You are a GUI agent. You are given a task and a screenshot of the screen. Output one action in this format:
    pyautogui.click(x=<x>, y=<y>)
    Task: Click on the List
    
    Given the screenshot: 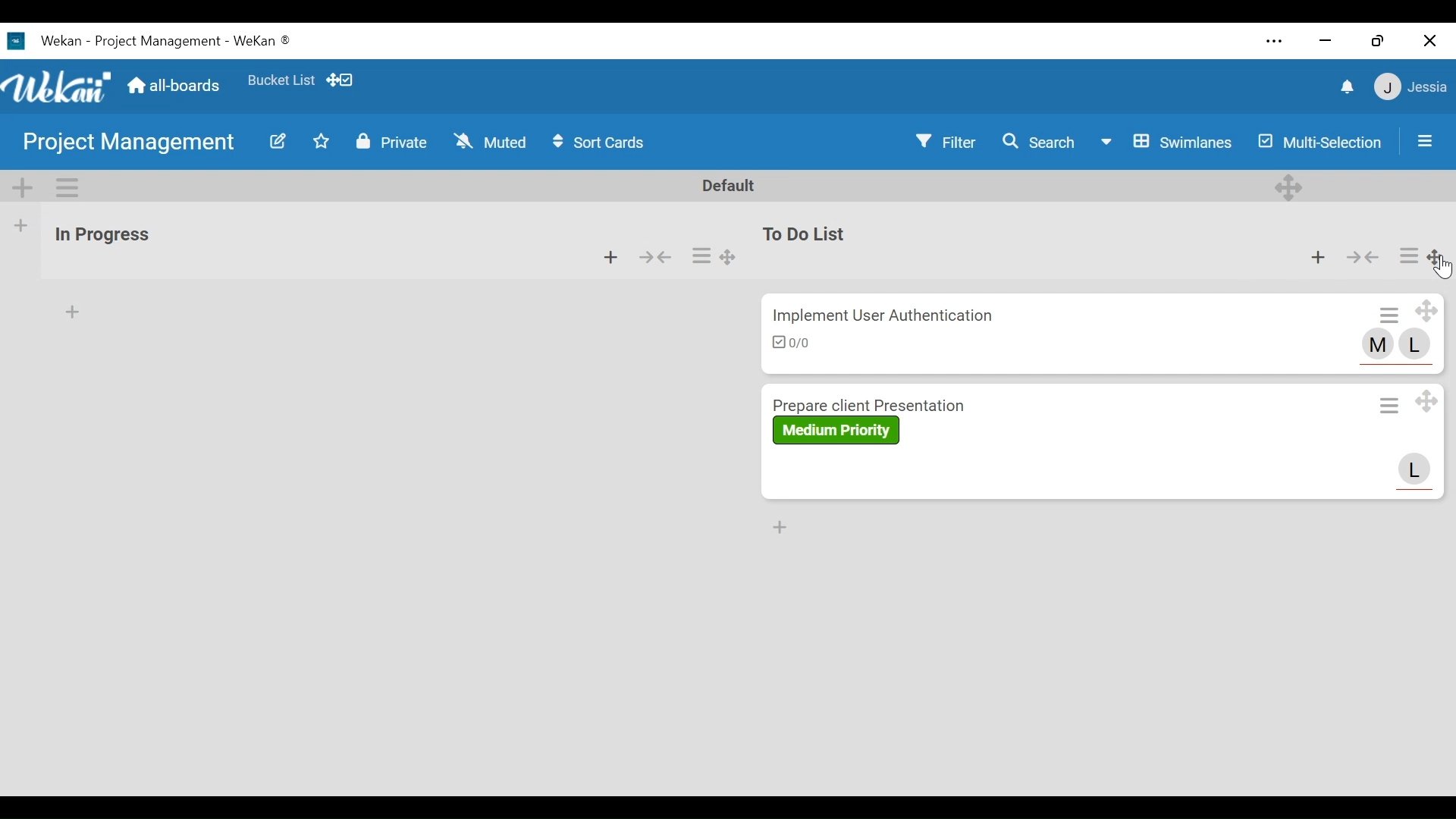 What is the action you would take?
    pyautogui.click(x=169, y=242)
    